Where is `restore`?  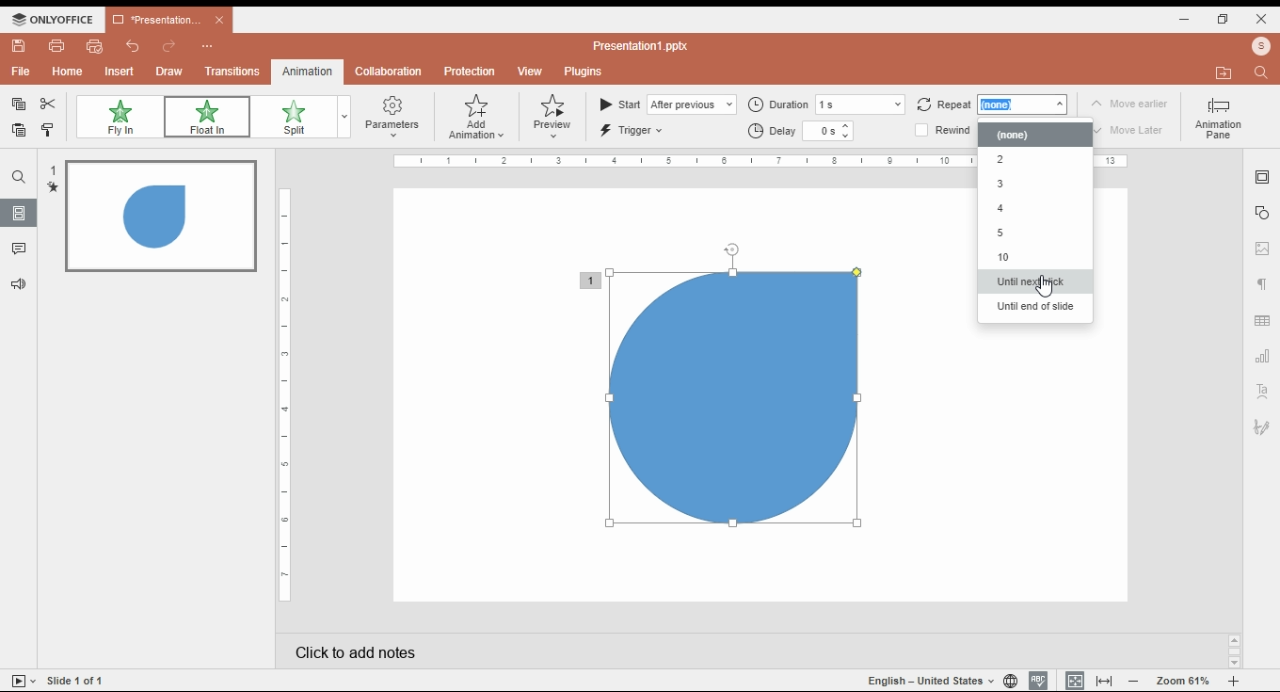 restore is located at coordinates (1224, 20).